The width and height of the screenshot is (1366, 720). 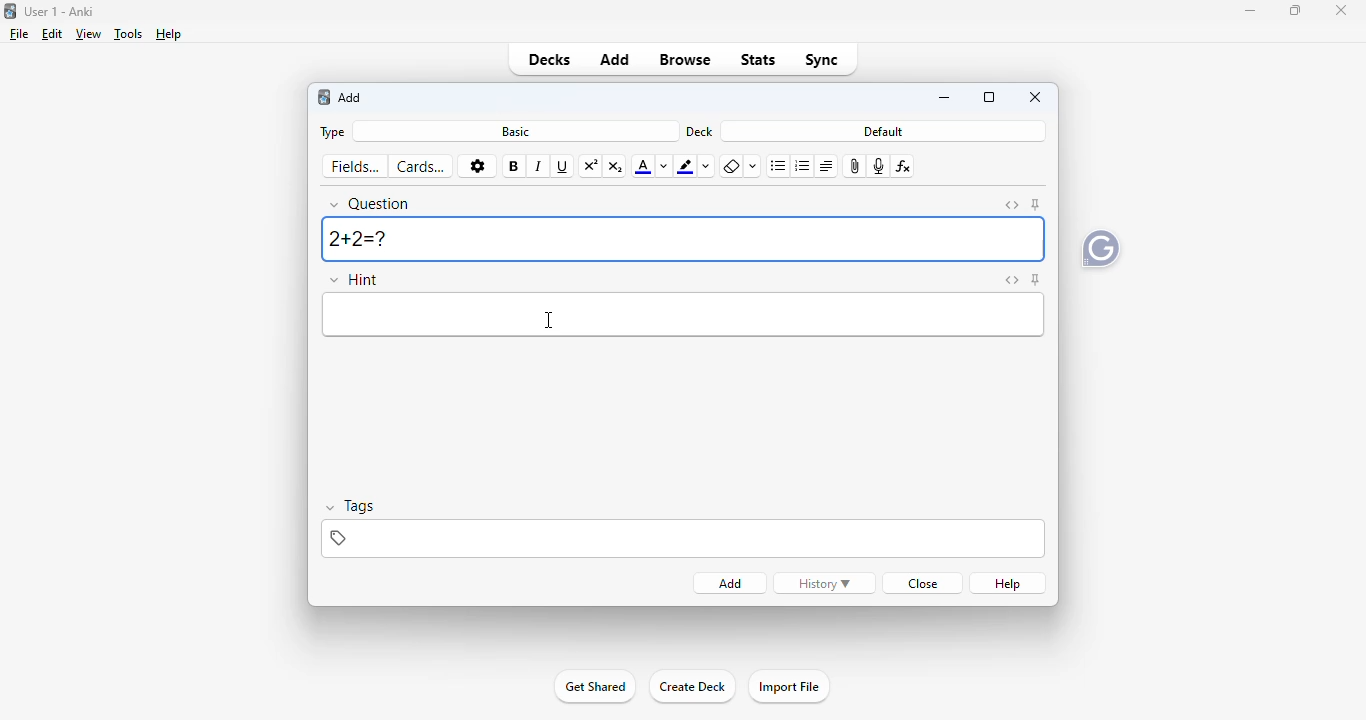 What do you see at coordinates (11, 11) in the screenshot?
I see `logo` at bounding box center [11, 11].